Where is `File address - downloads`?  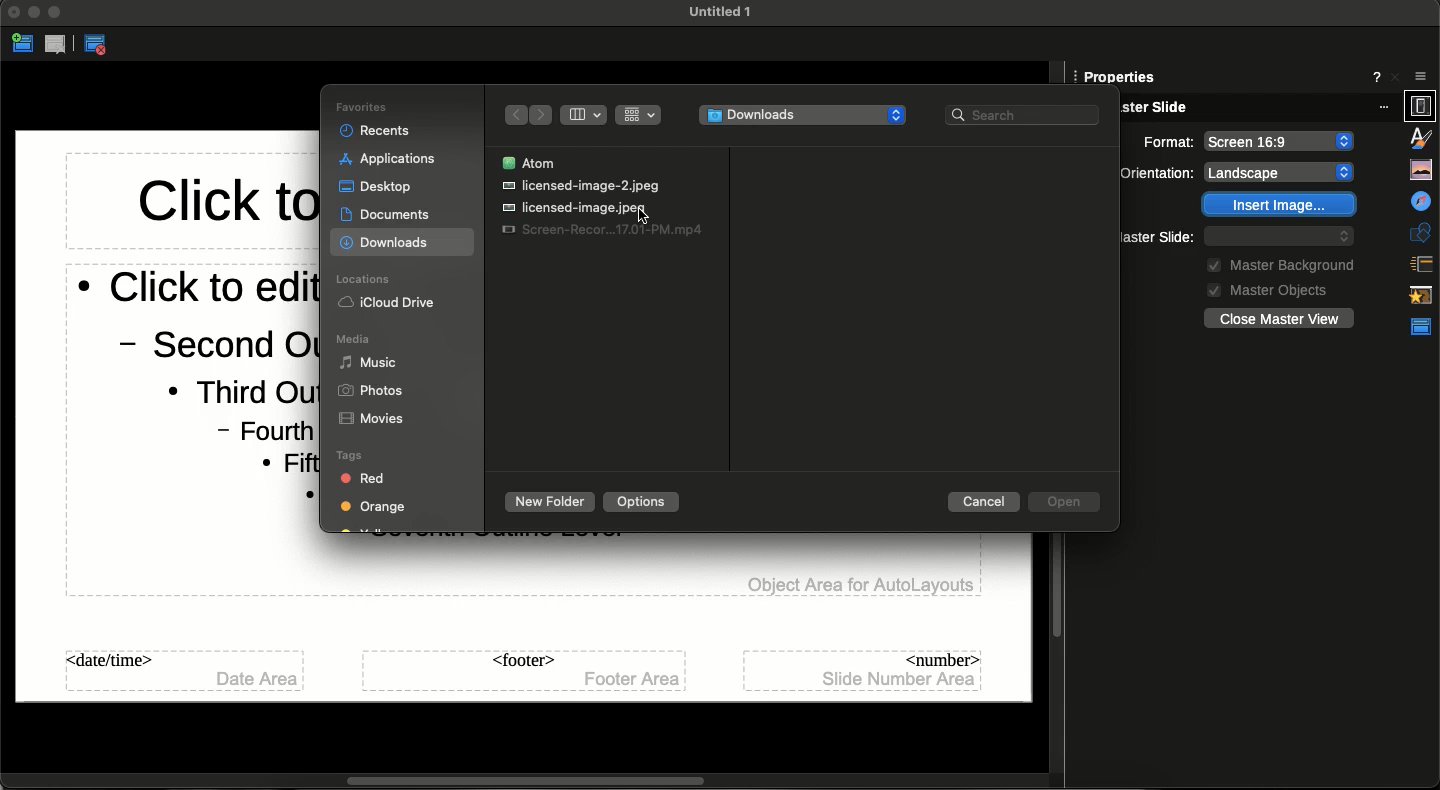
File address - downloads is located at coordinates (803, 114).